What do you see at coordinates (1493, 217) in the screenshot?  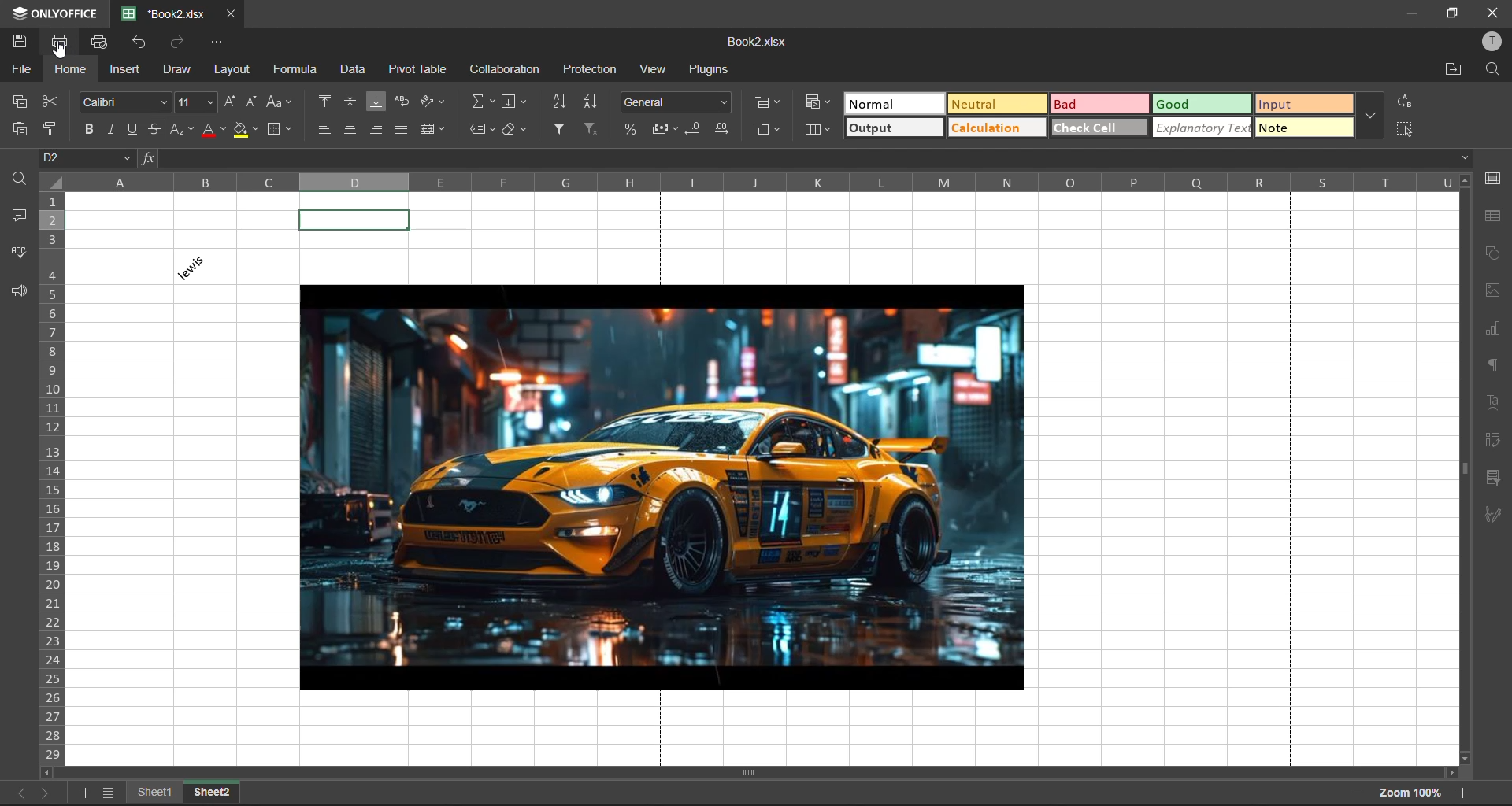 I see `table` at bounding box center [1493, 217].